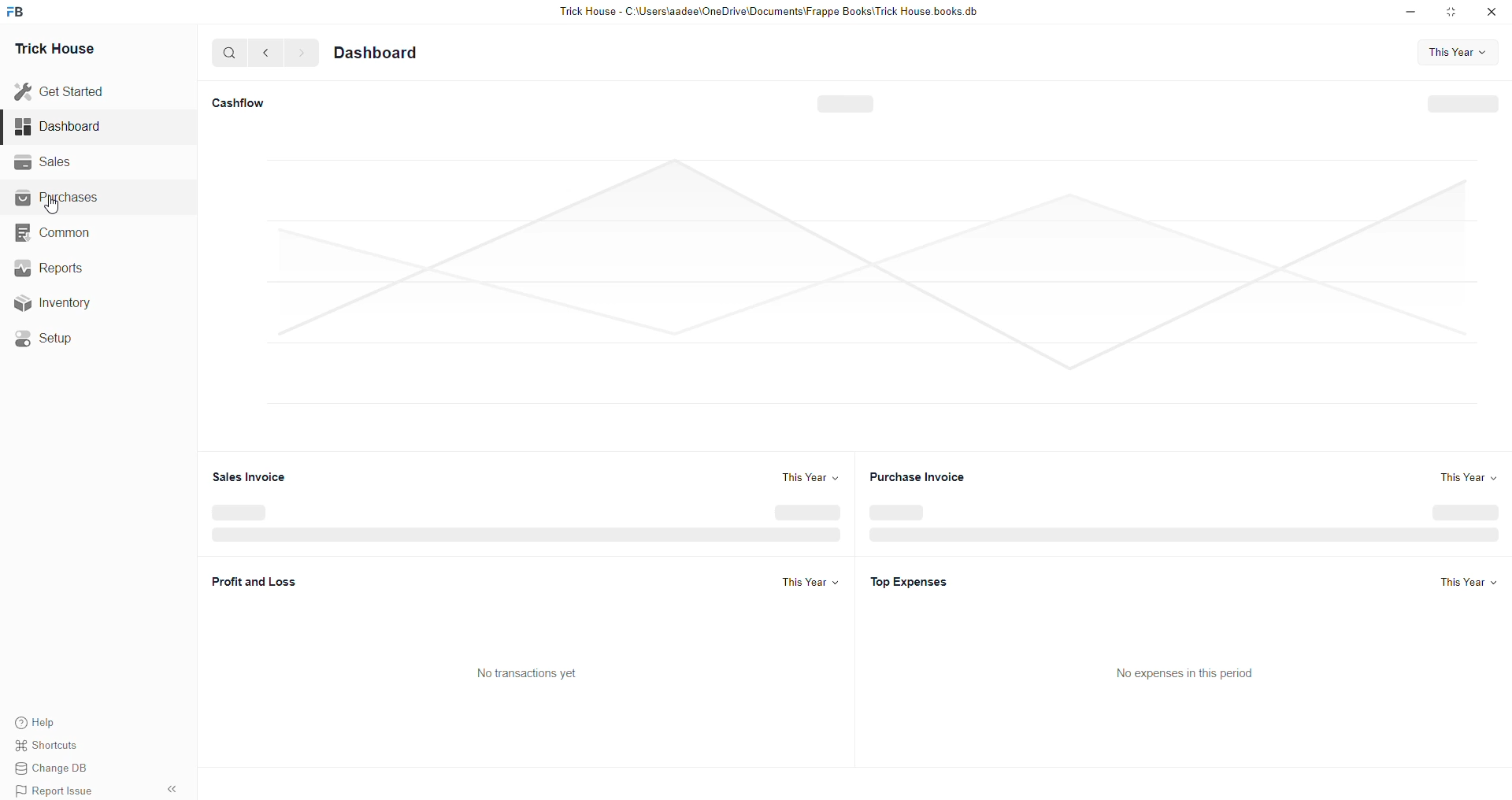 The image size is (1512, 800). I want to click on Inventory, so click(52, 302).